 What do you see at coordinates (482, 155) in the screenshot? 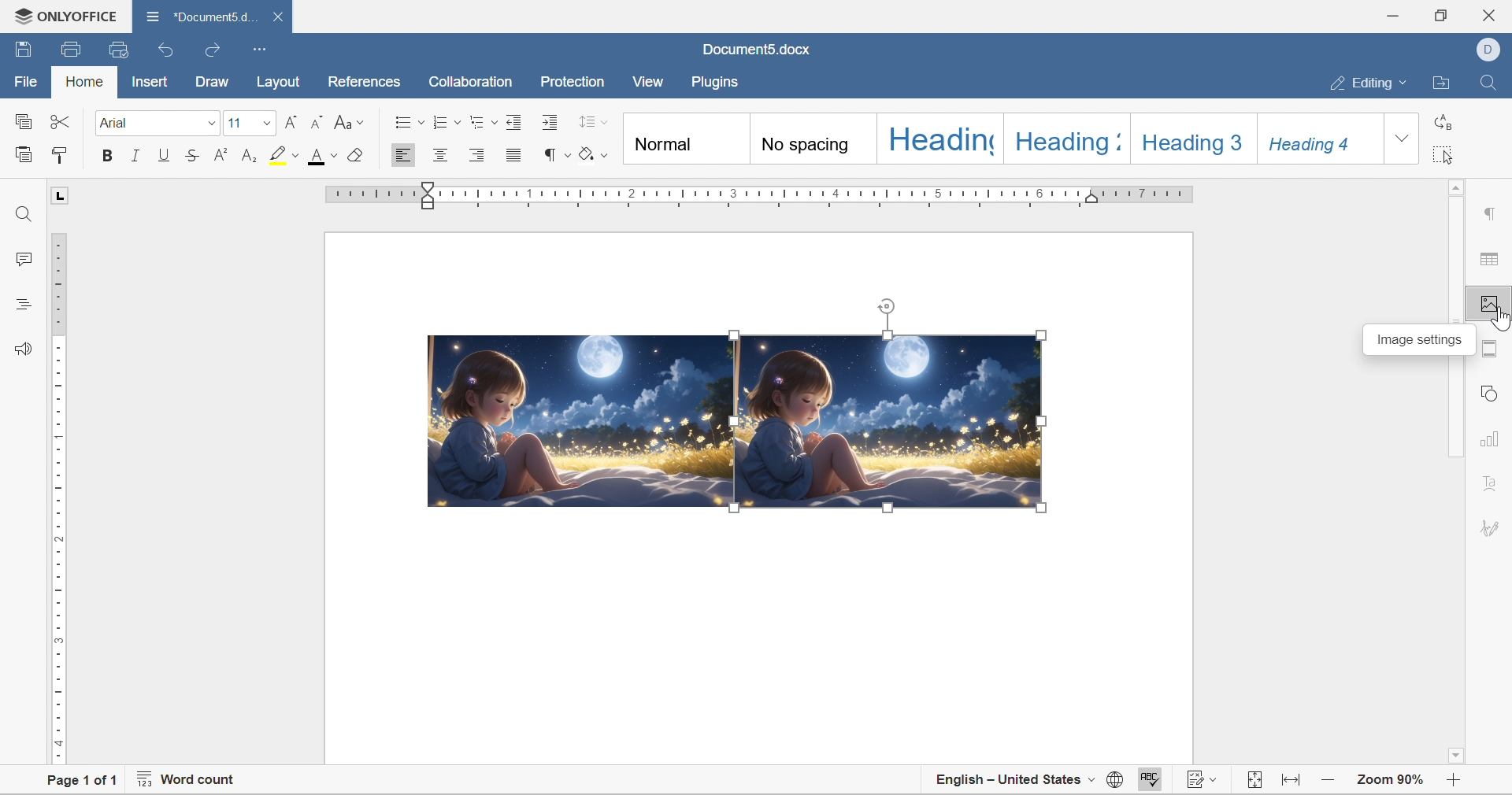
I see `Align Right` at bounding box center [482, 155].